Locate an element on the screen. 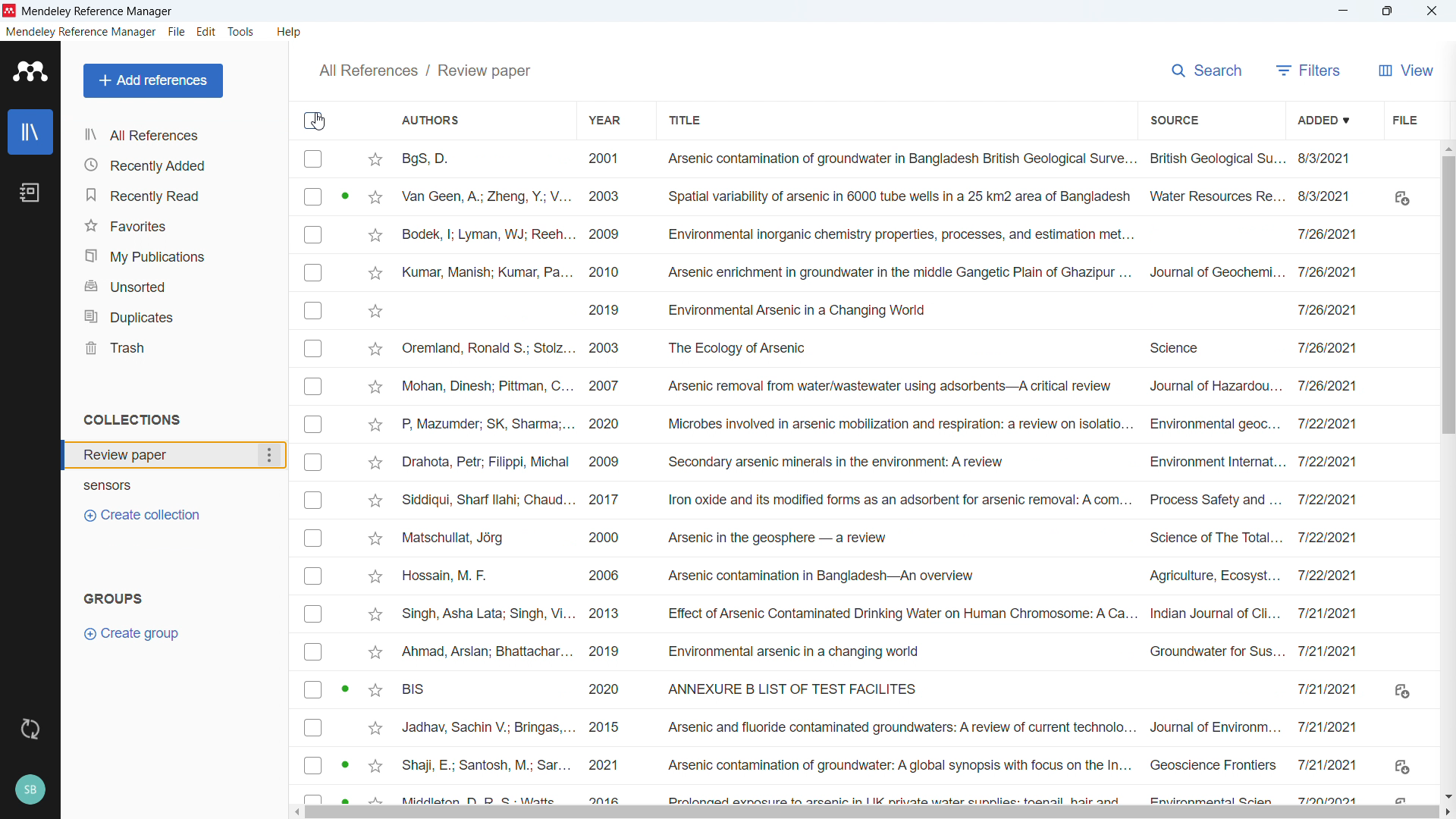 The height and width of the screenshot is (819, 1456). Select respective publication is located at coordinates (312, 538).